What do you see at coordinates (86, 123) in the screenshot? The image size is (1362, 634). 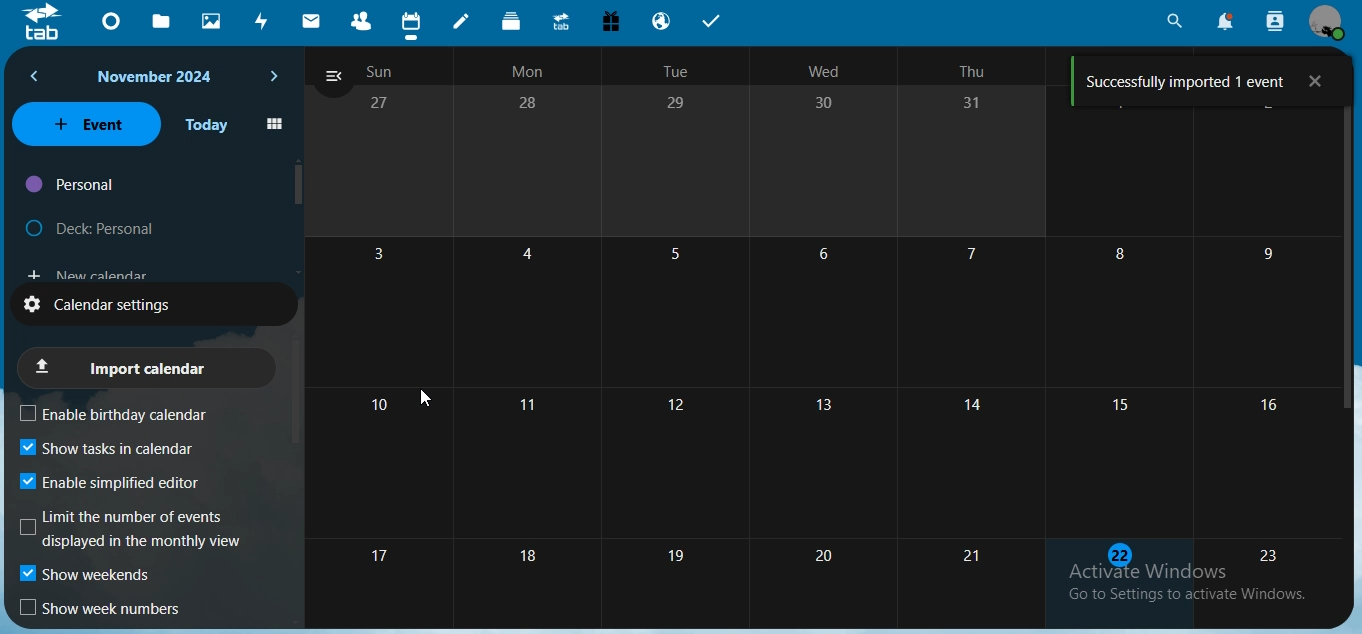 I see `event` at bounding box center [86, 123].